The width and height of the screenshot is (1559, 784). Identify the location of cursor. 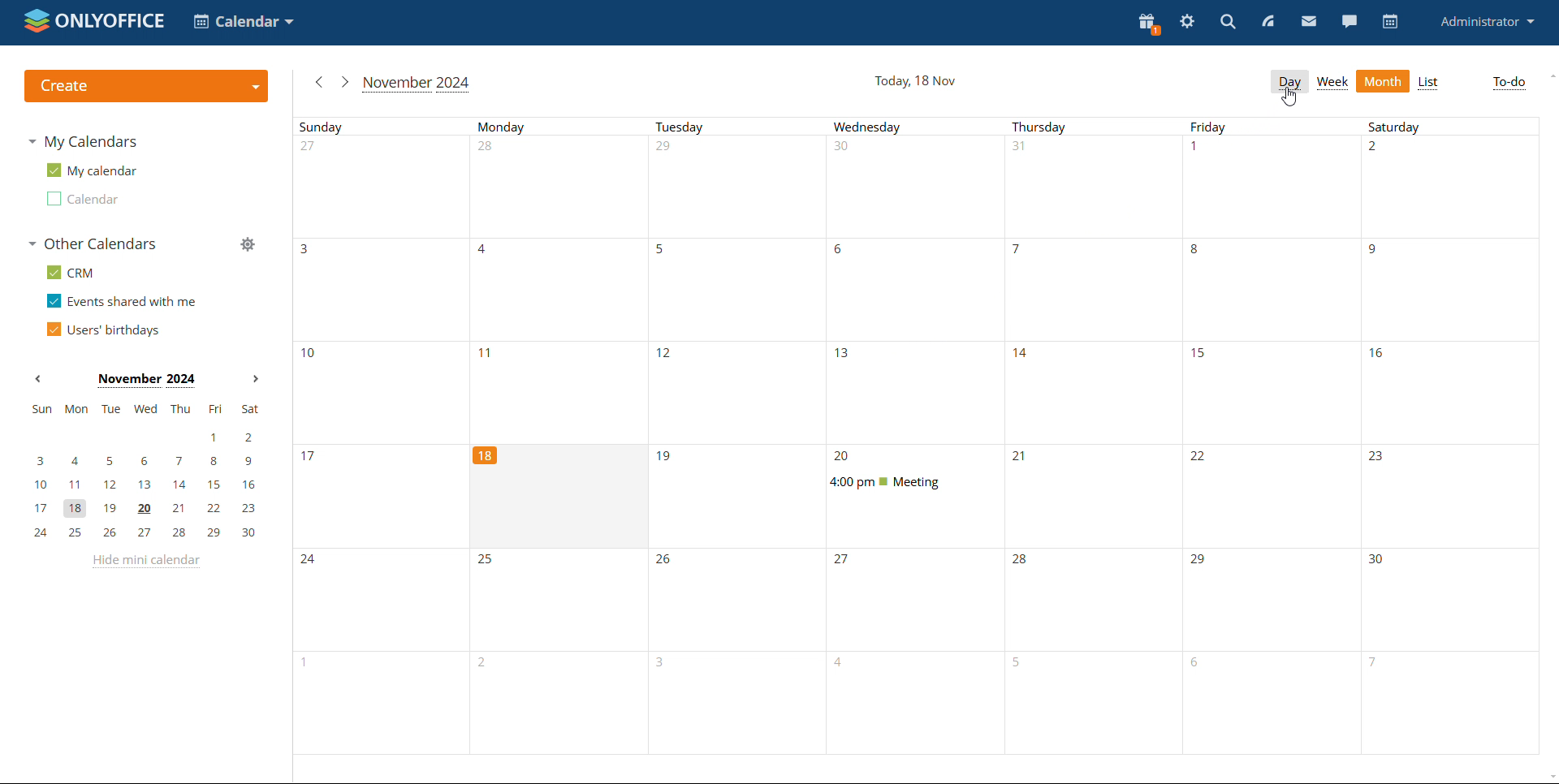
(1289, 96).